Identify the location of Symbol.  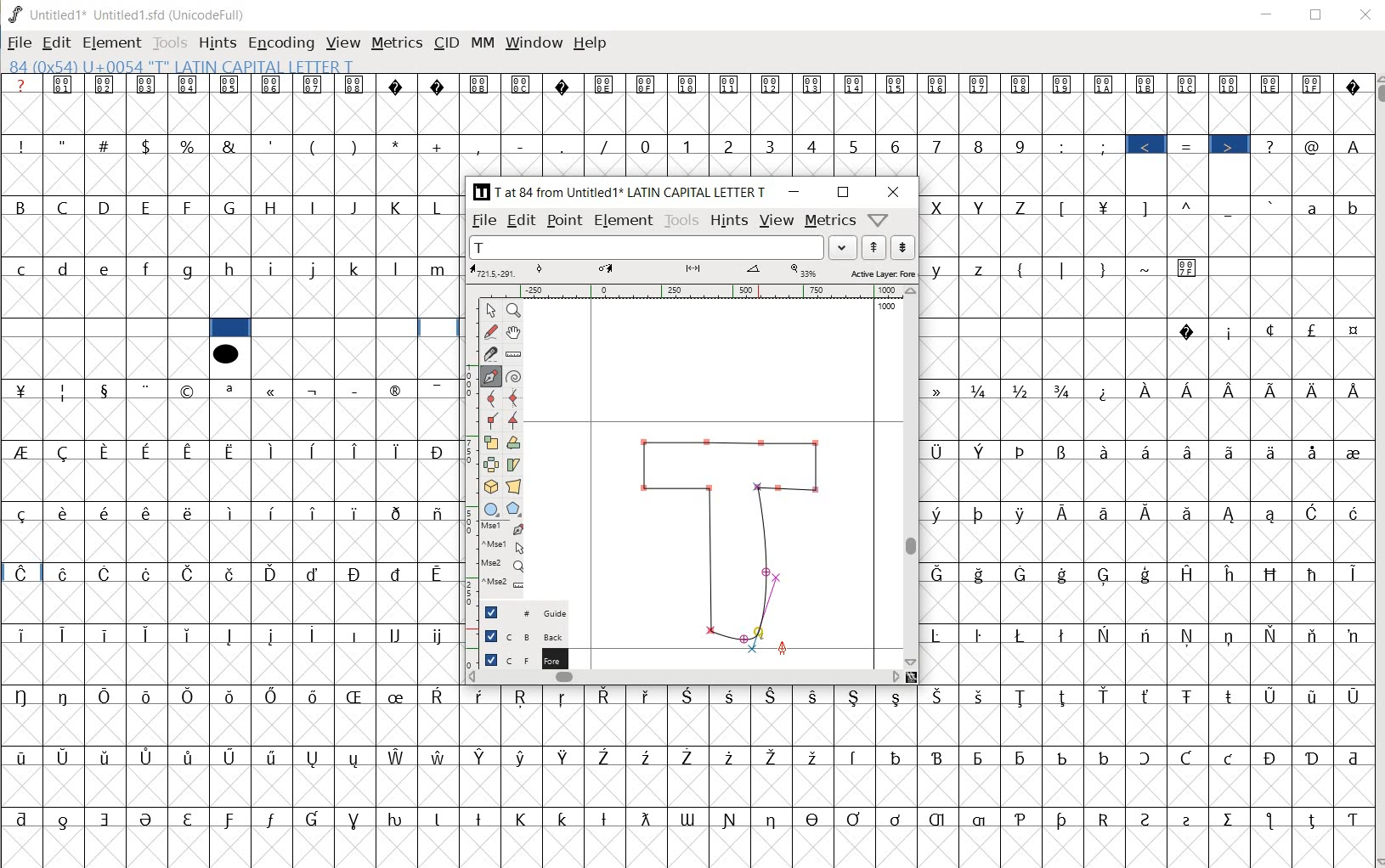
(1189, 511).